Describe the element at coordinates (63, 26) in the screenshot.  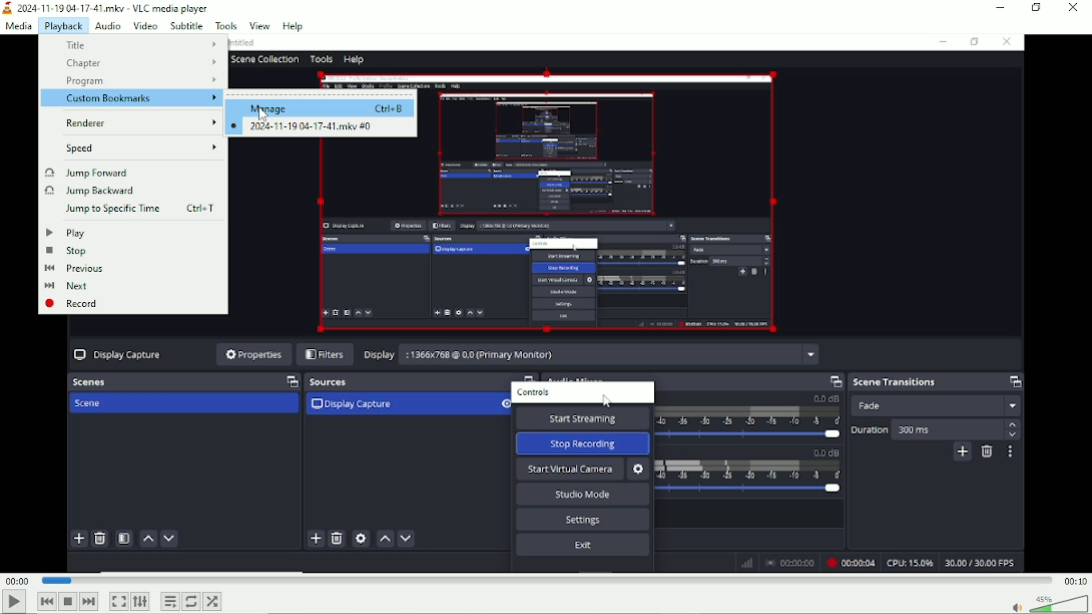
I see `Playback` at that location.